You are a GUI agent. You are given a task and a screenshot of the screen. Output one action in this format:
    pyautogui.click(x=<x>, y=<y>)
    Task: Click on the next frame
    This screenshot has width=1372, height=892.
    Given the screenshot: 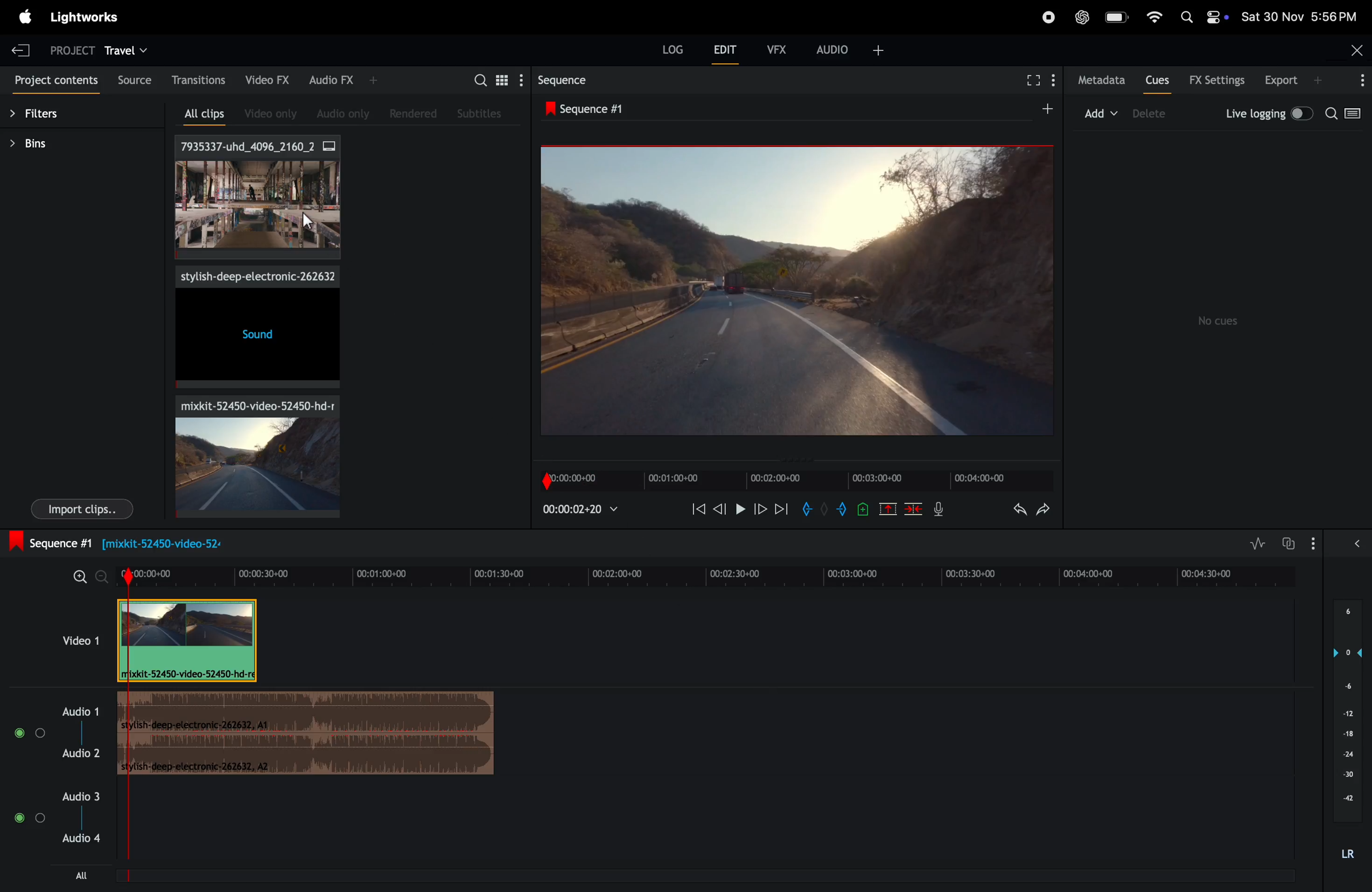 What is the action you would take?
    pyautogui.click(x=761, y=511)
    